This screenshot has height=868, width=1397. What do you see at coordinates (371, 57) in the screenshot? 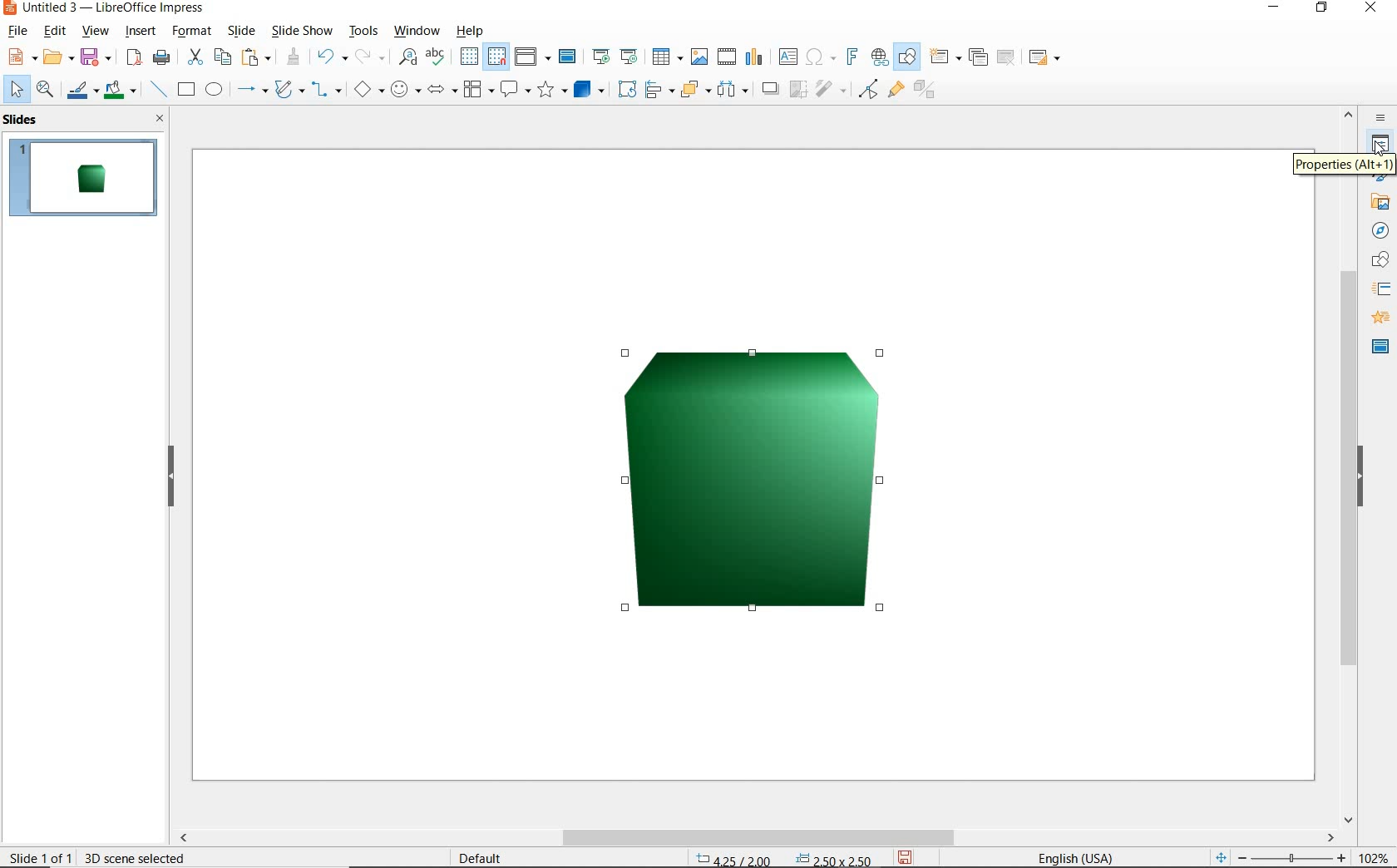
I see `redo` at bounding box center [371, 57].